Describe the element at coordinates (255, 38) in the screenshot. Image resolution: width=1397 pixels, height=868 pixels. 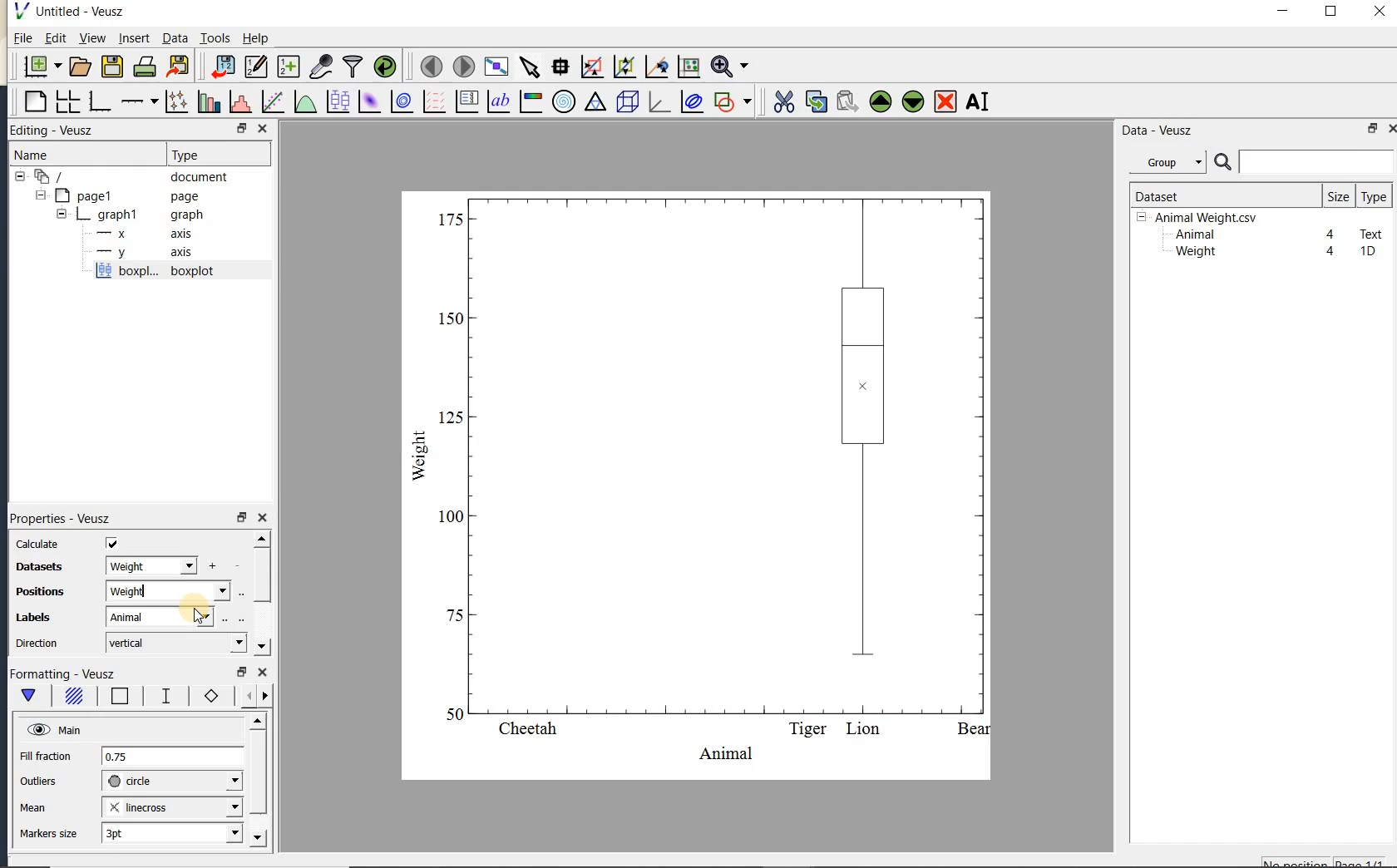
I see `Help` at that location.